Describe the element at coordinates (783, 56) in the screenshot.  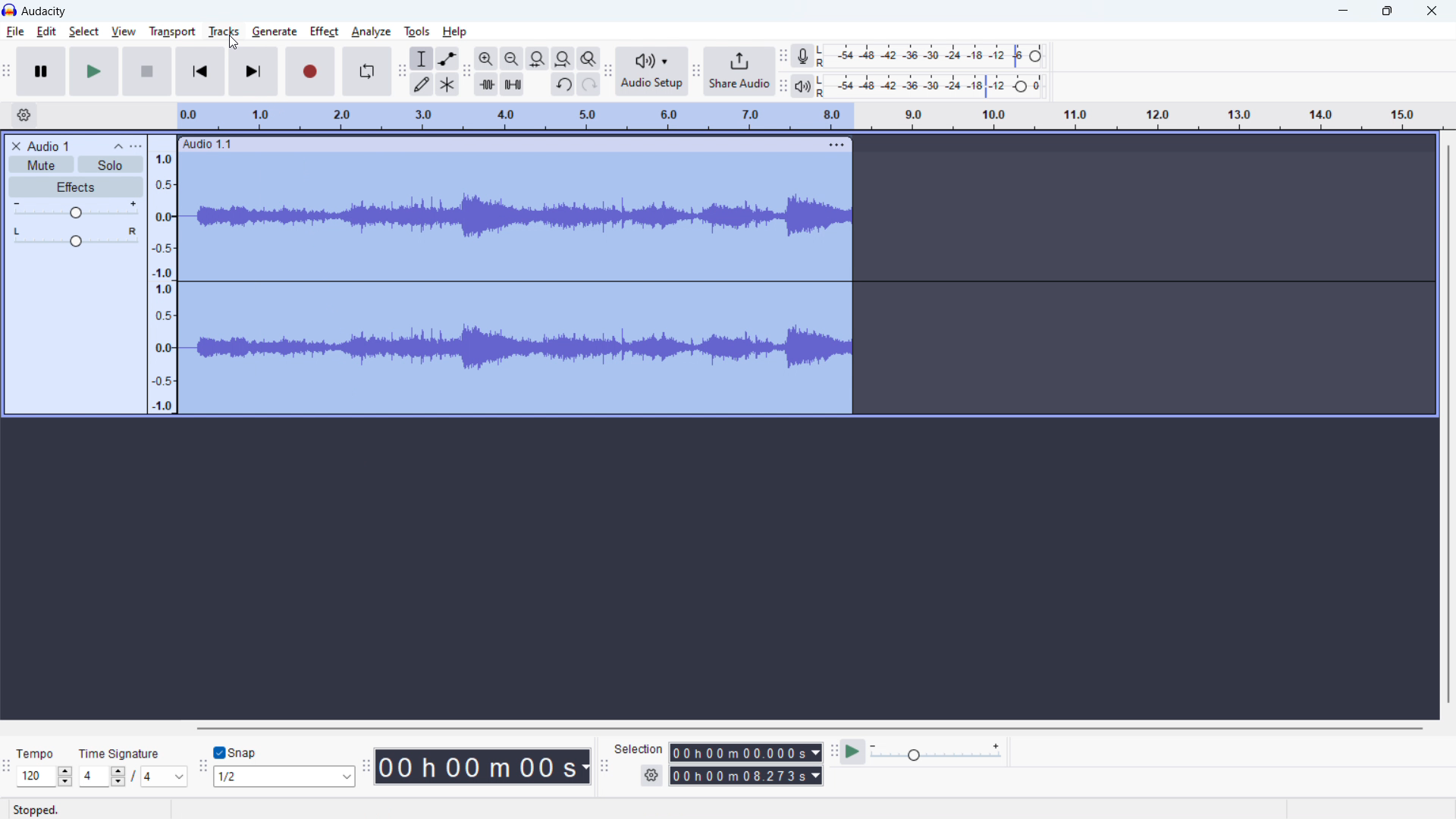
I see `recording meter toolbar` at that location.